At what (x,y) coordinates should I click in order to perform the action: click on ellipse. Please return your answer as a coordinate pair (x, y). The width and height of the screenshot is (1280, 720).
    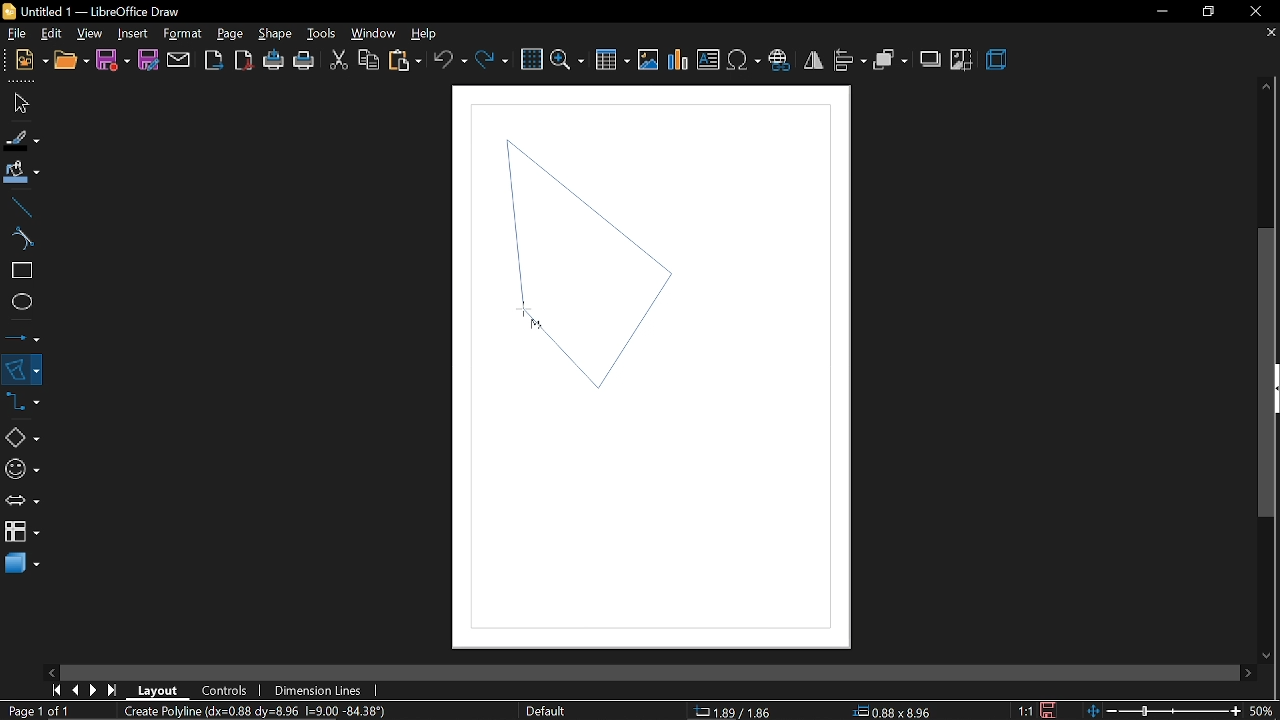
    Looking at the image, I should click on (18, 304).